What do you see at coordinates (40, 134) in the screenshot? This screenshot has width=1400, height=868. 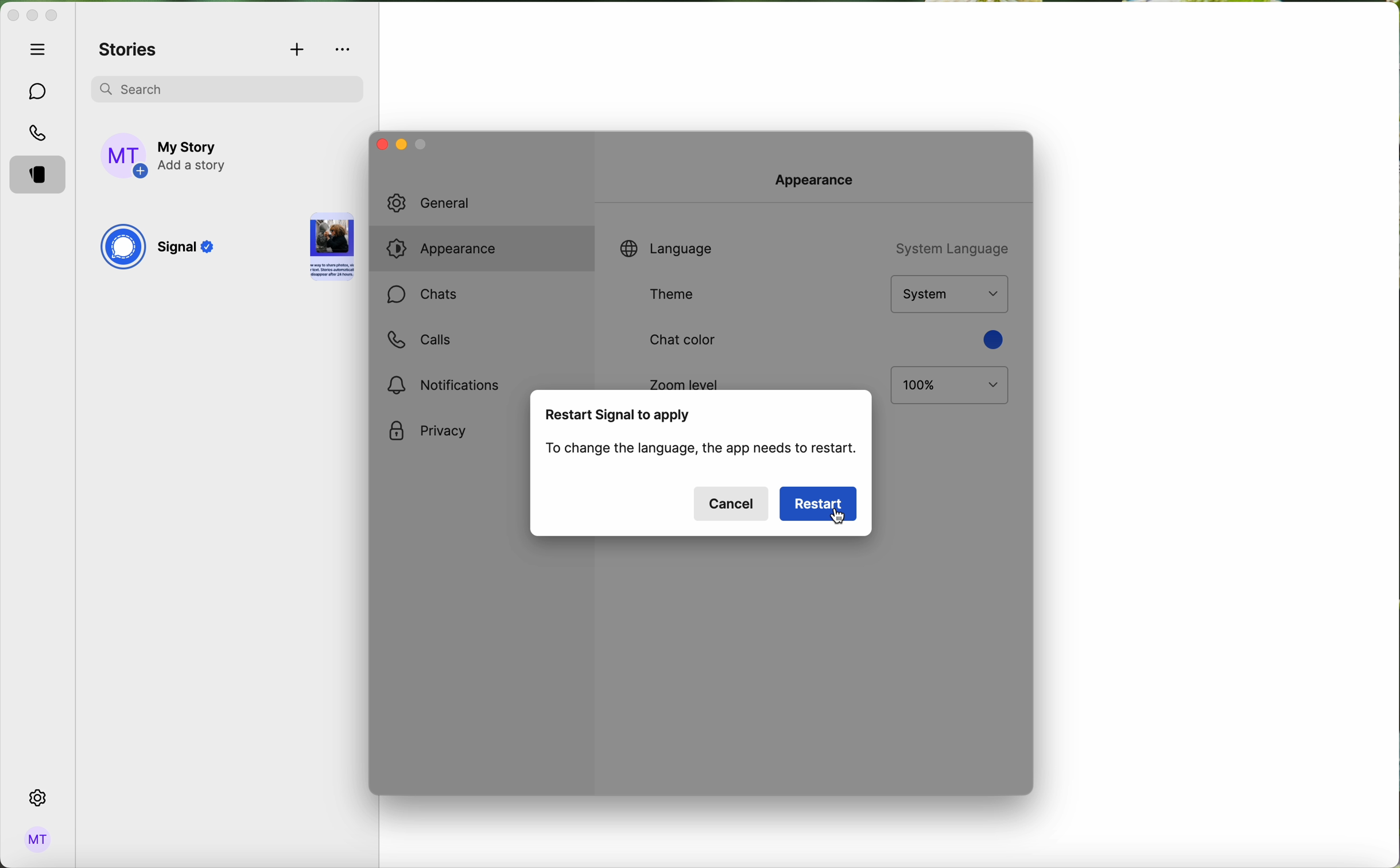 I see `calls` at bounding box center [40, 134].